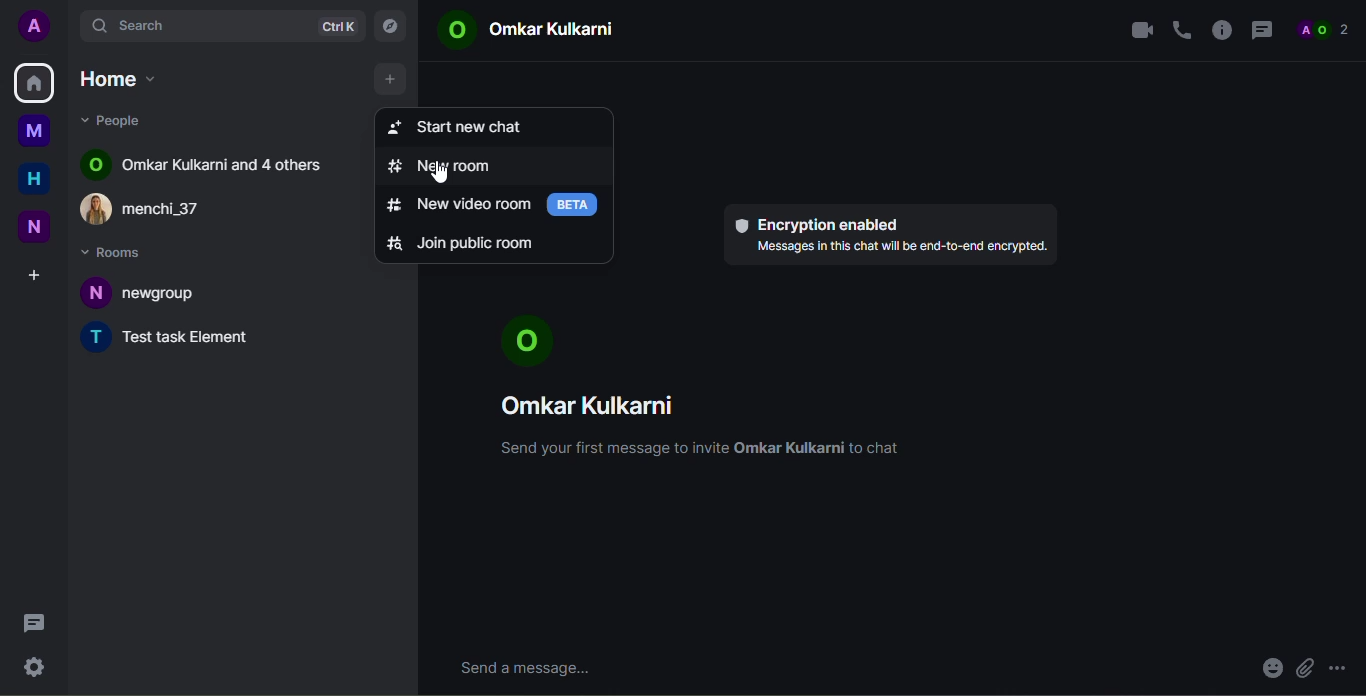 This screenshot has height=696, width=1366. What do you see at coordinates (462, 243) in the screenshot?
I see `join public room` at bounding box center [462, 243].